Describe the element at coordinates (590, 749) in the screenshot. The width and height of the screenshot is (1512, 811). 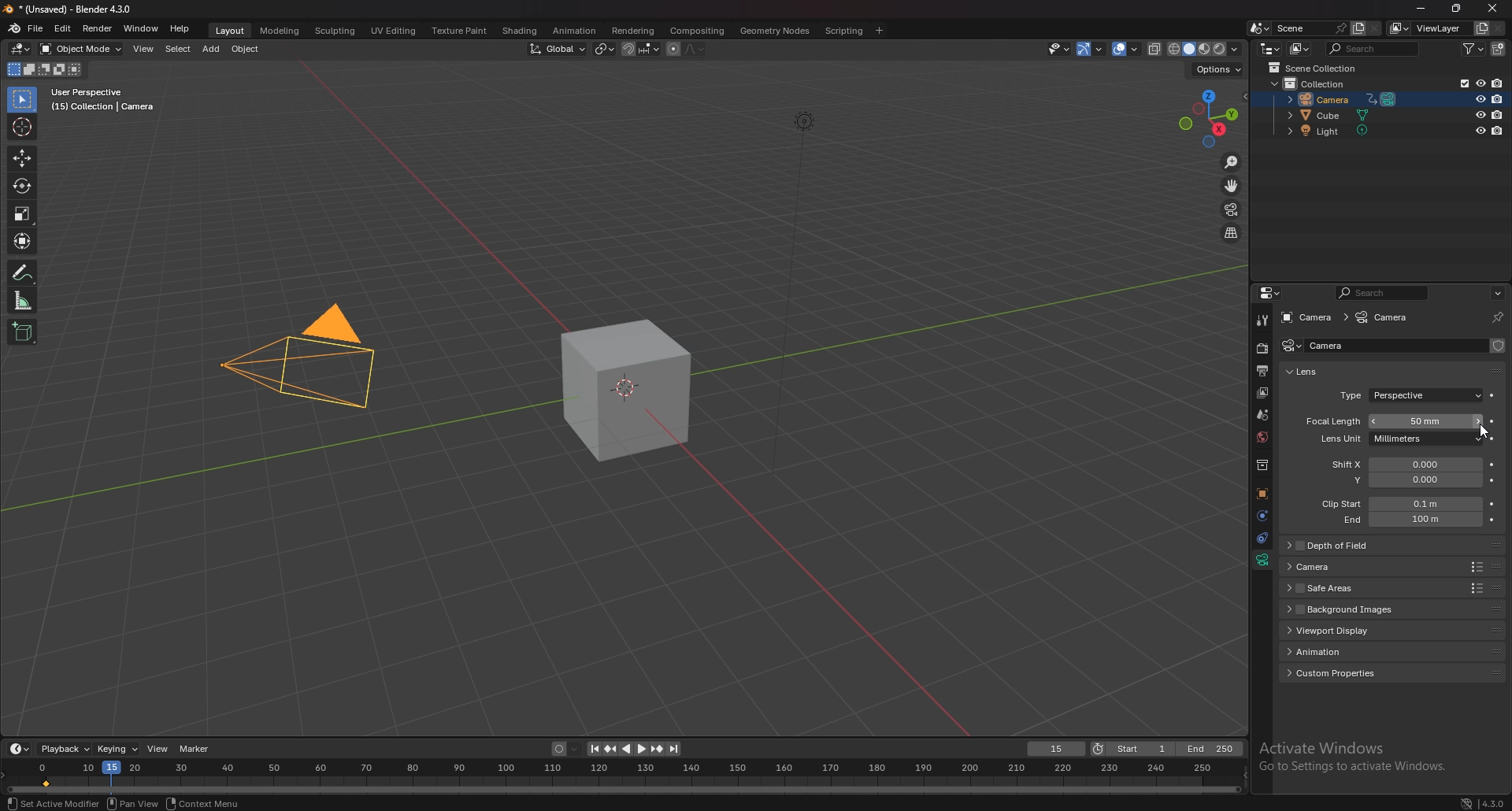
I see `jump to endpoint` at that location.